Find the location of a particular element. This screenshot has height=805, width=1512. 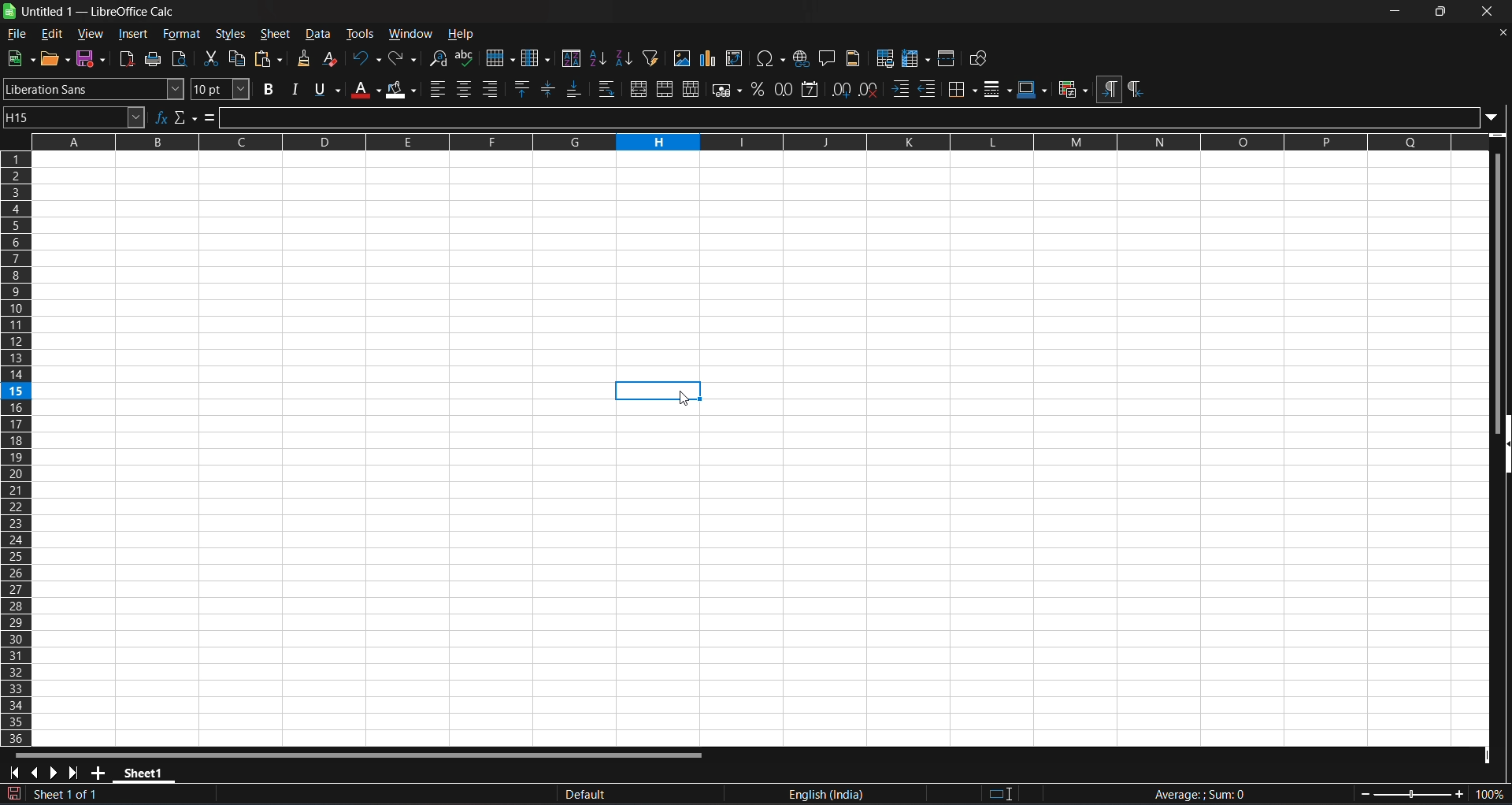

save is located at coordinates (91, 58).